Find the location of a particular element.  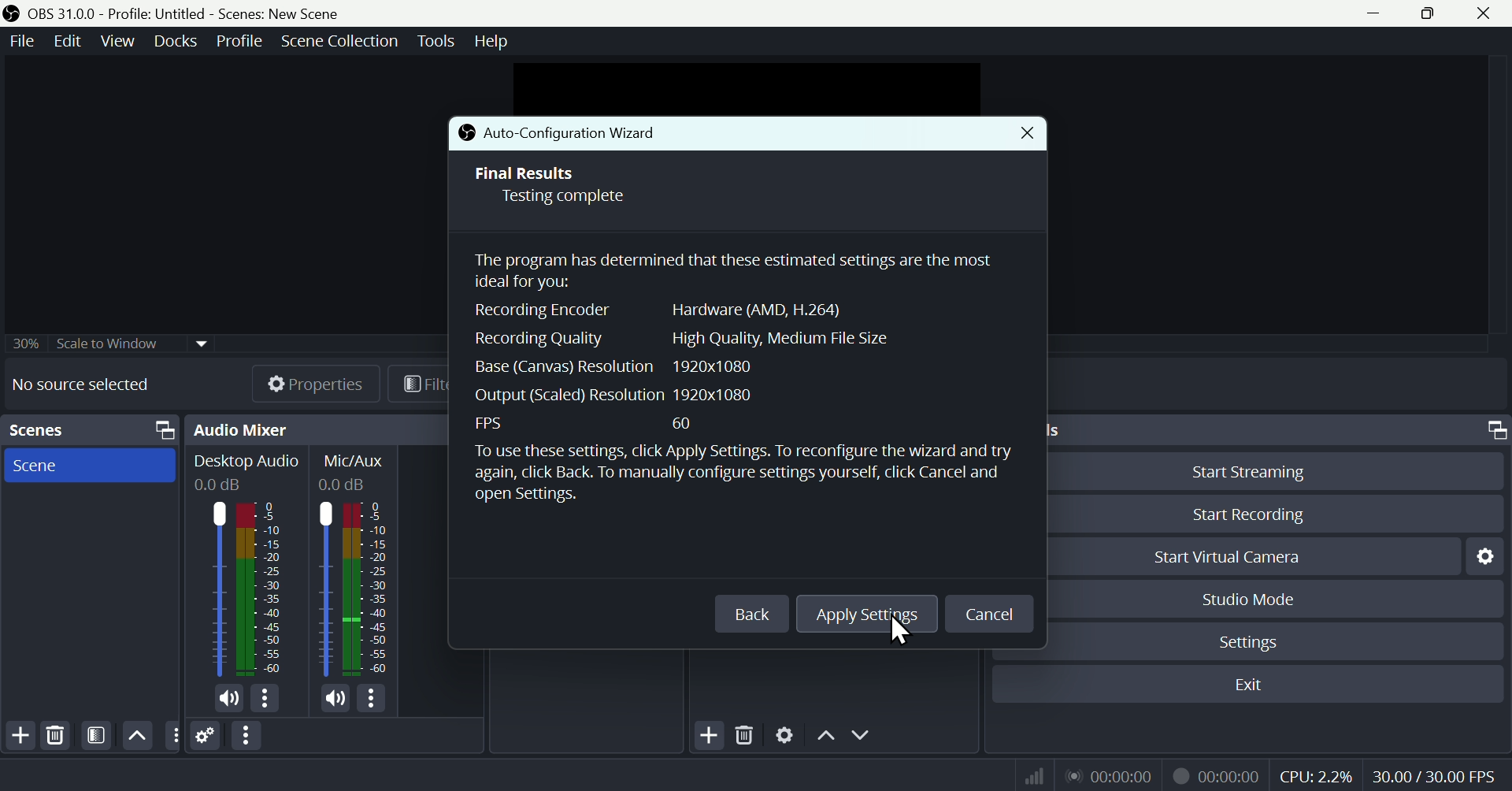

Settings is located at coordinates (1483, 556).